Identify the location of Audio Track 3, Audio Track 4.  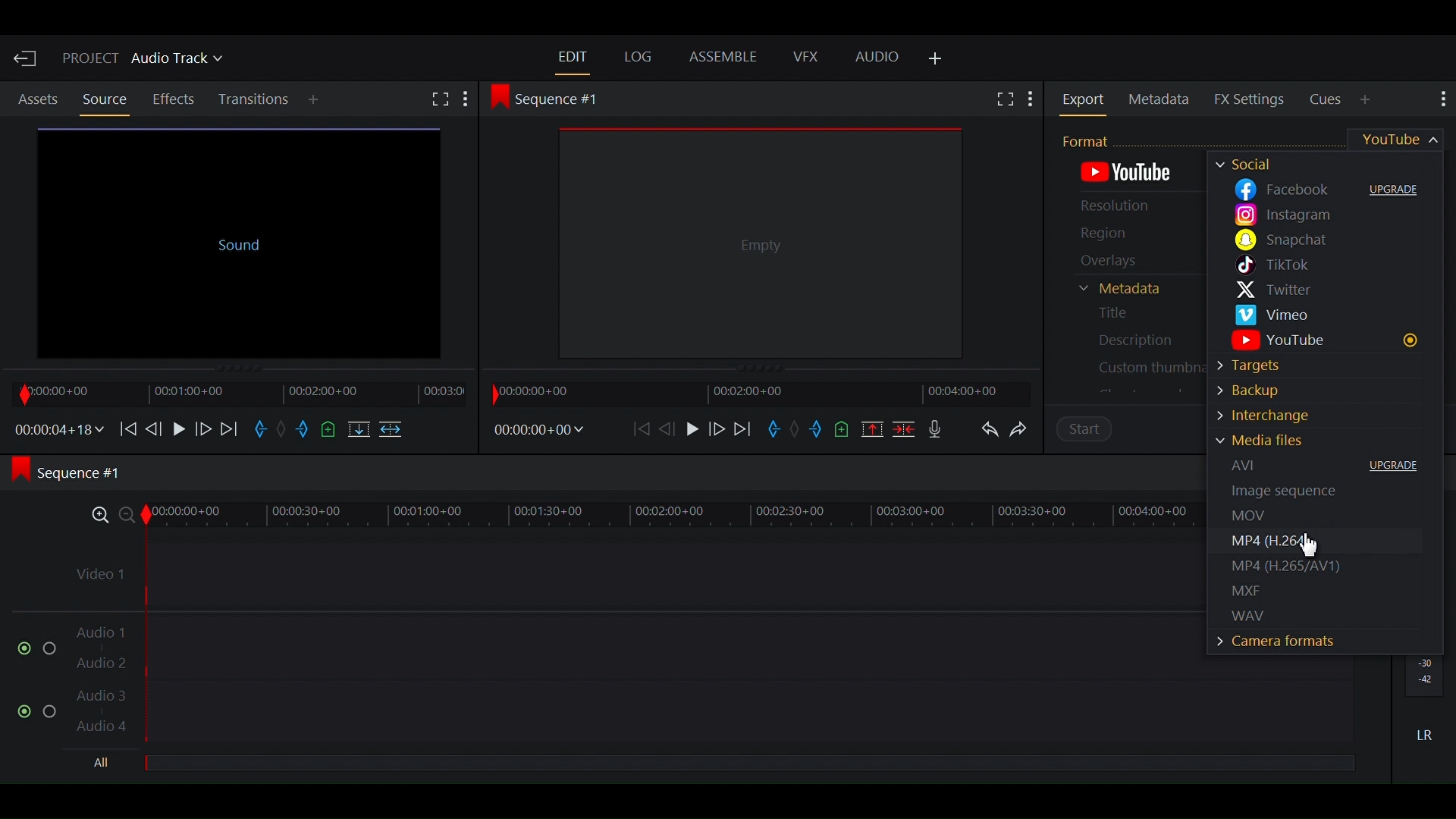
(711, 715).